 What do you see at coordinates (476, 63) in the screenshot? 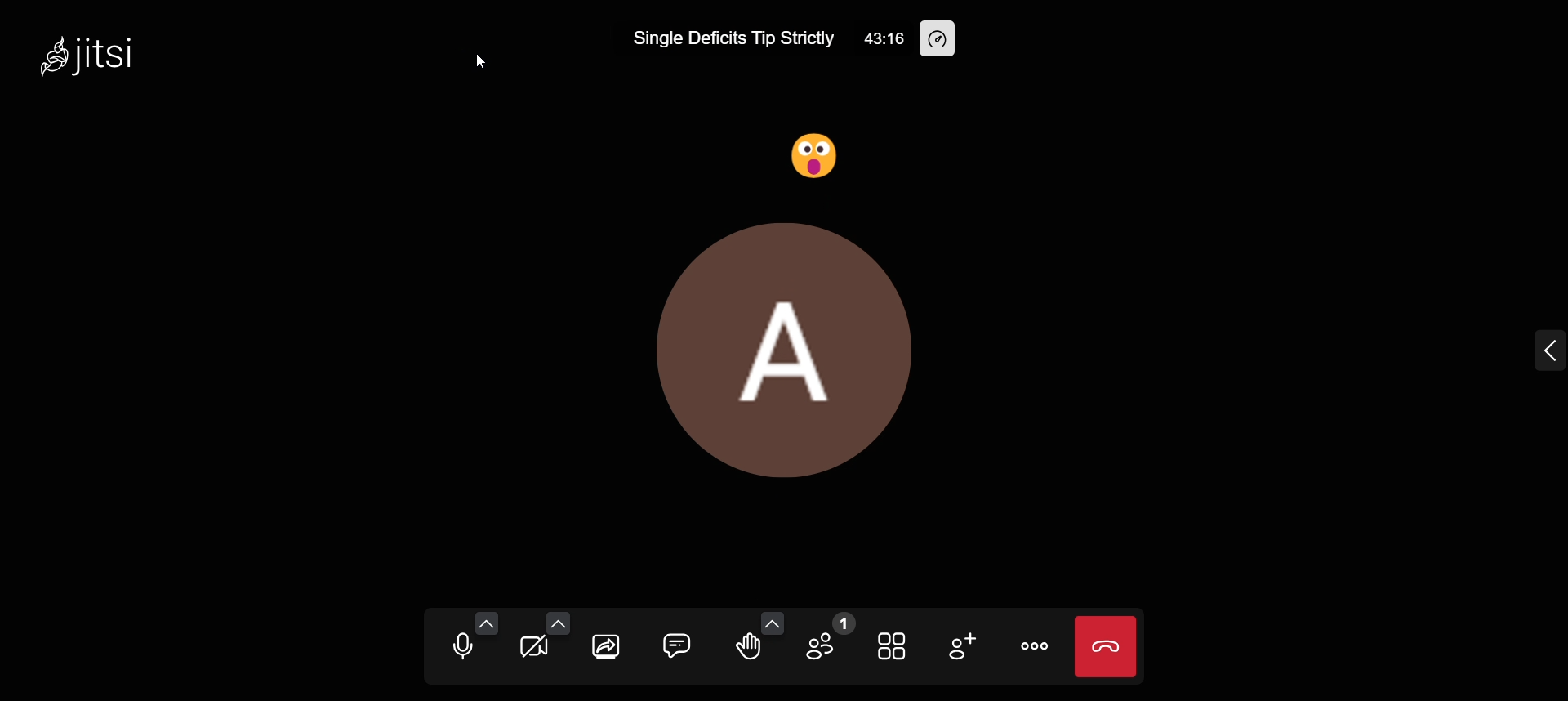
I see `cursor` at bounding box center [476, 63].